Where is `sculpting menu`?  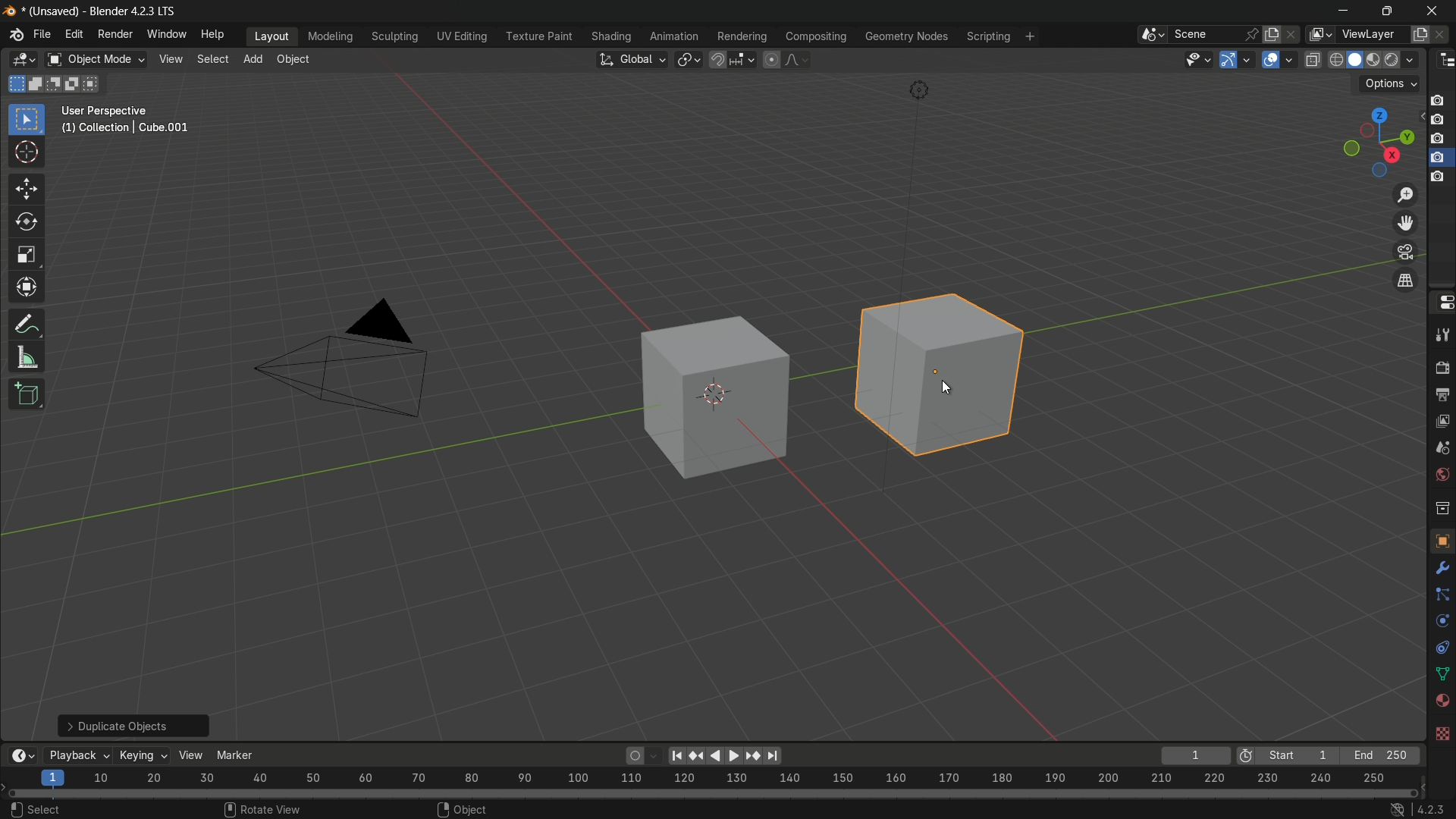 sculpting menu is located at coordinates (391, 36).